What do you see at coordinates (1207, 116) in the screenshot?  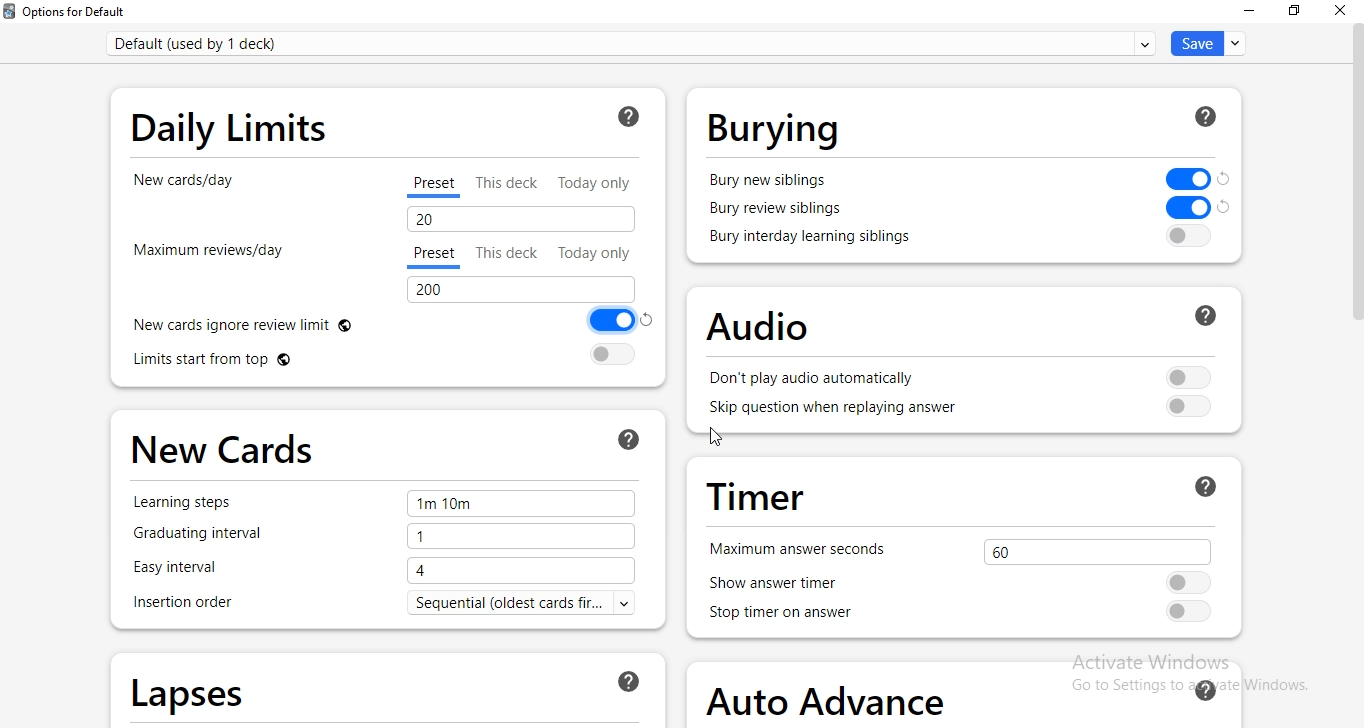 I see `ask` at bounding box center [1207, 116].